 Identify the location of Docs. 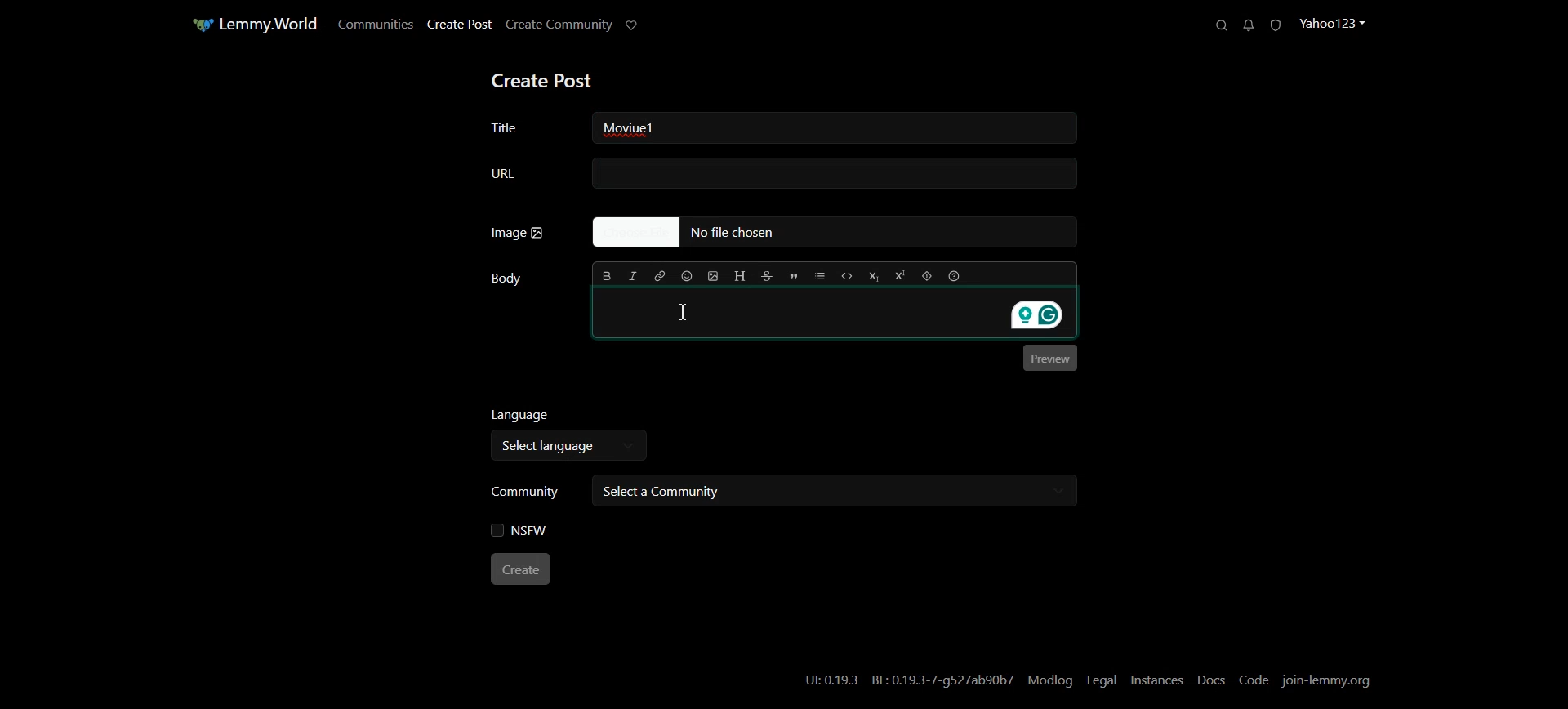
(1211, 680).